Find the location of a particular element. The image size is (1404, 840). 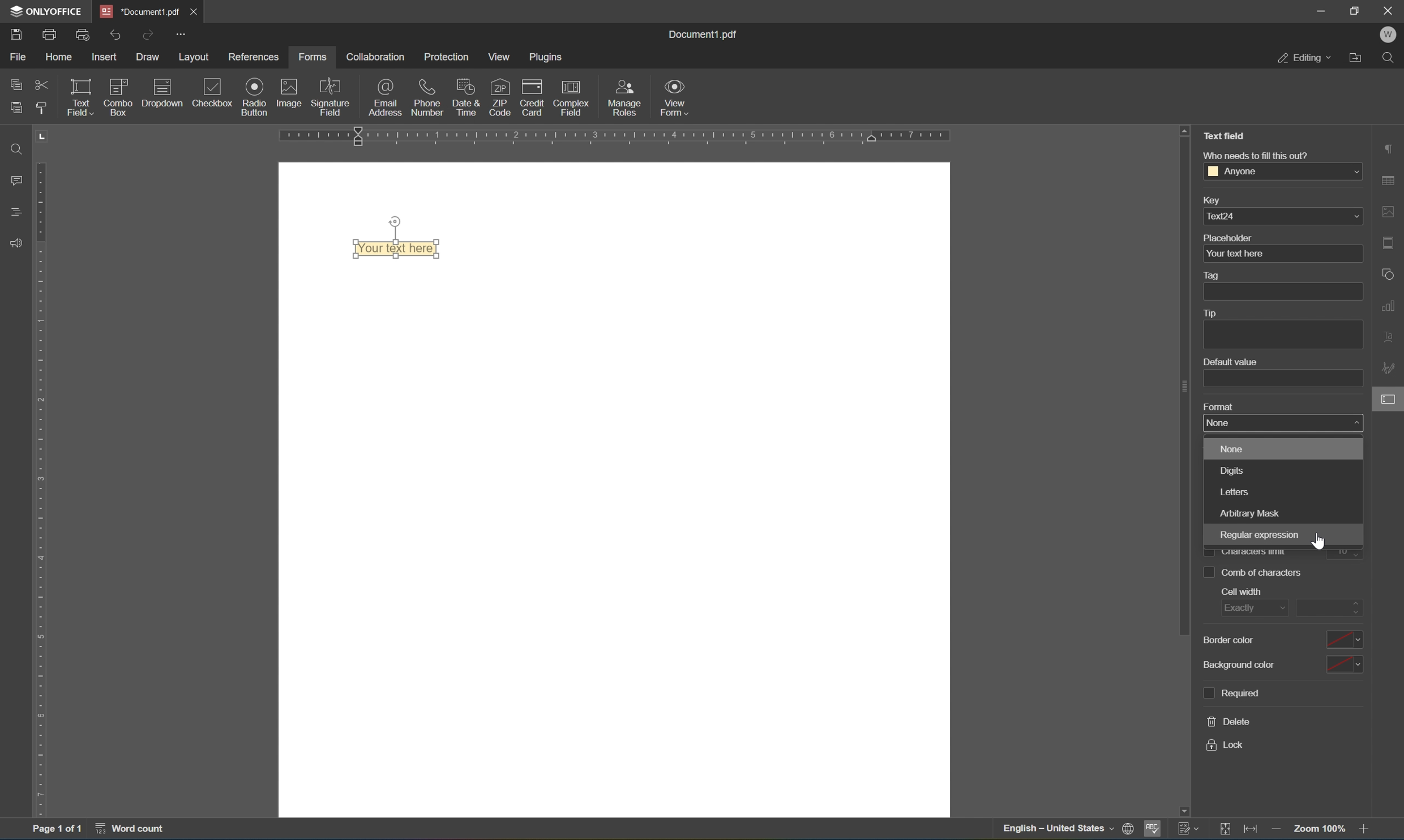

find is located at coordinates (16, 148).